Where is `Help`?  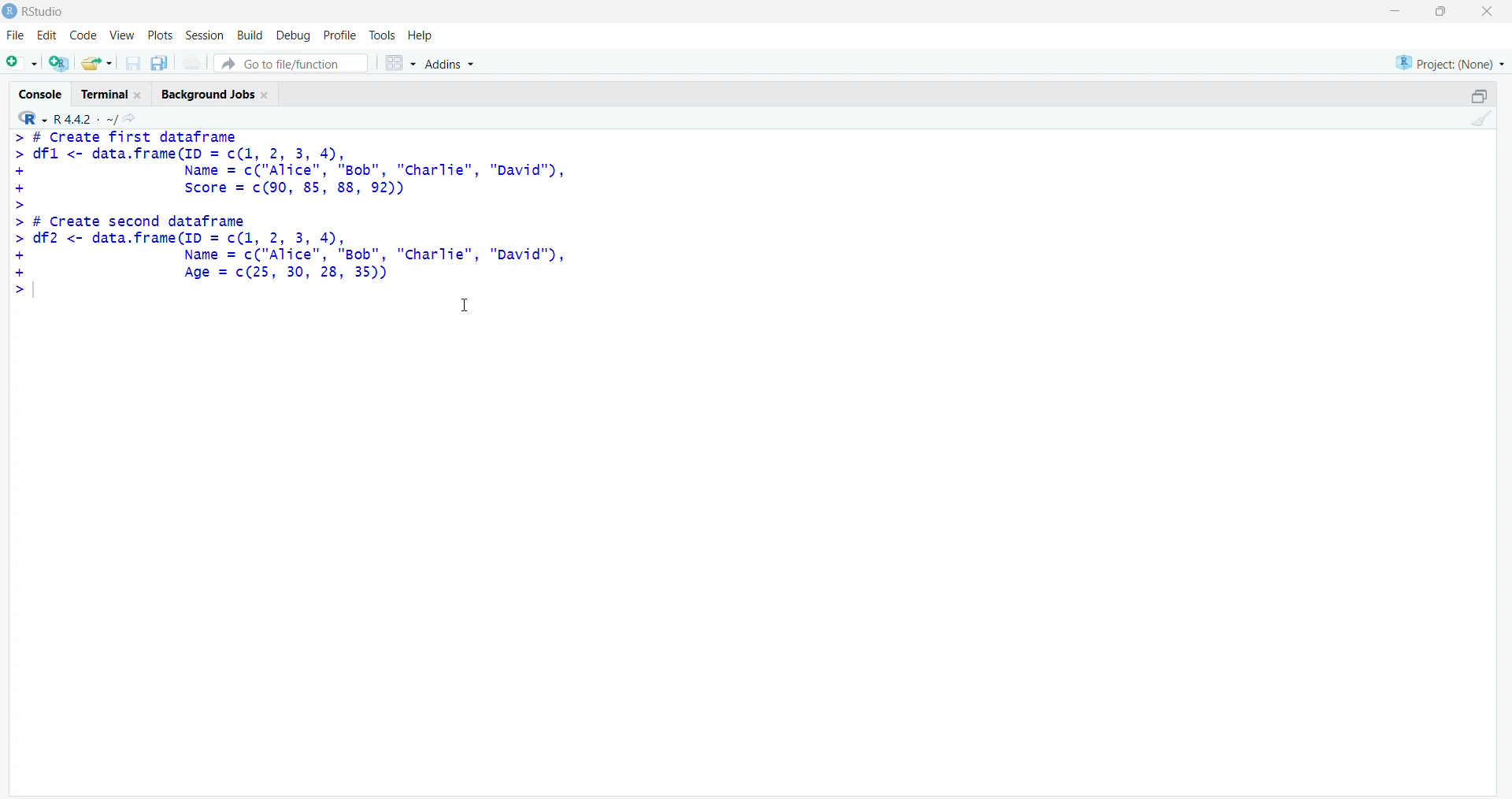
Help is located at coordinates (420, 35).